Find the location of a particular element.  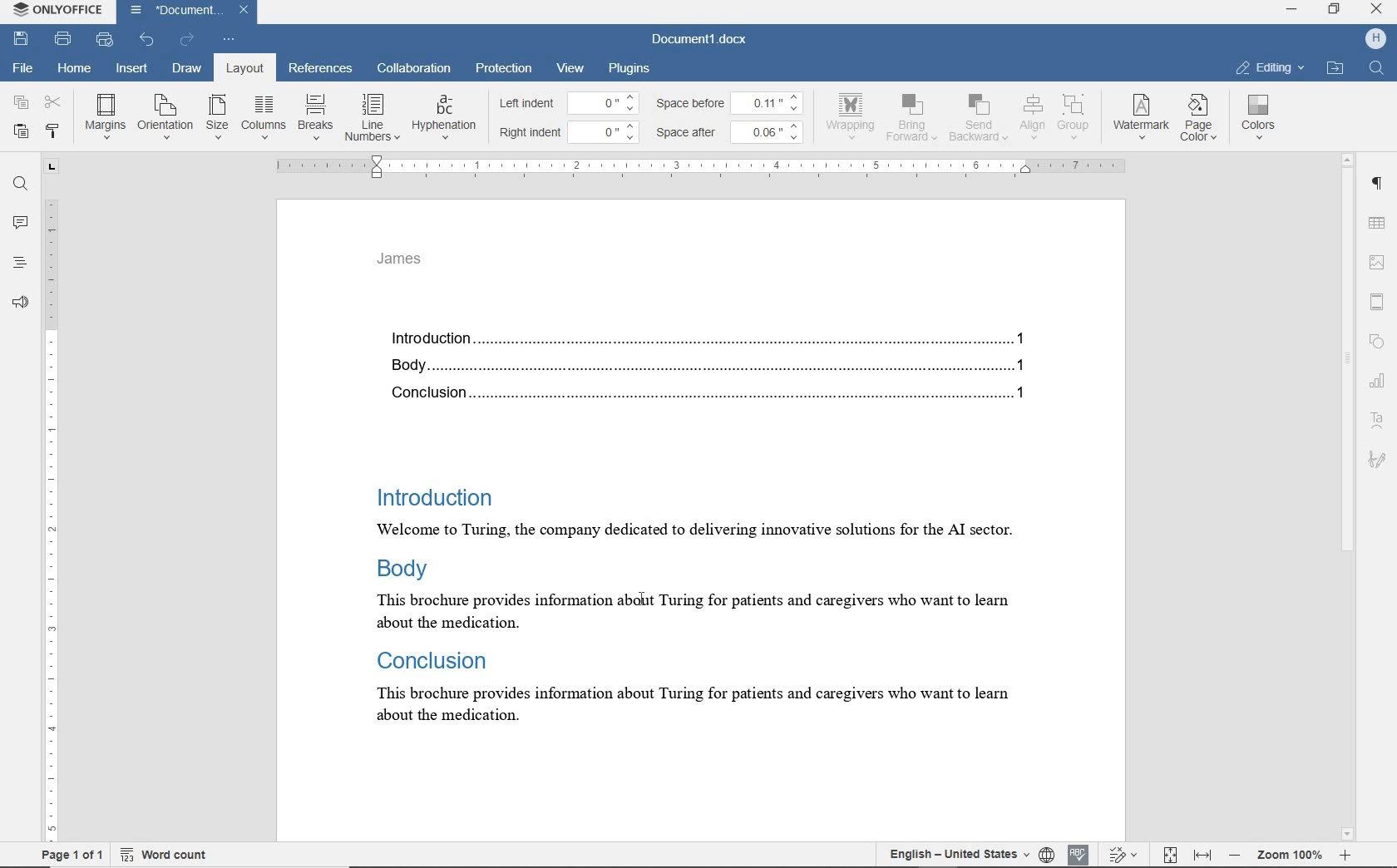

text language is located at coordinates (954, 853).